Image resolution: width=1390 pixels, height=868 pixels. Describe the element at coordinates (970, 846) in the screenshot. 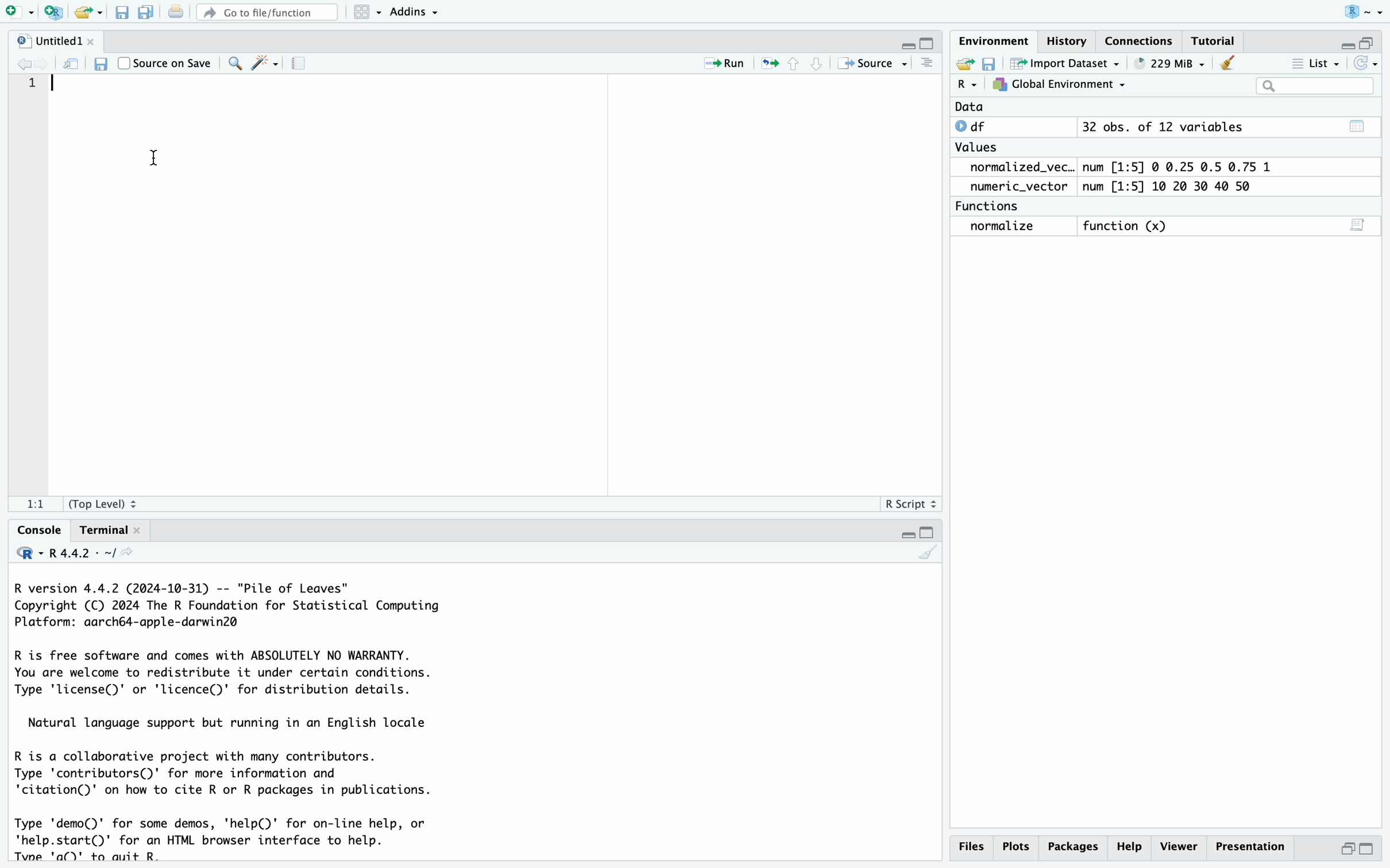

I see `Files` at that location.